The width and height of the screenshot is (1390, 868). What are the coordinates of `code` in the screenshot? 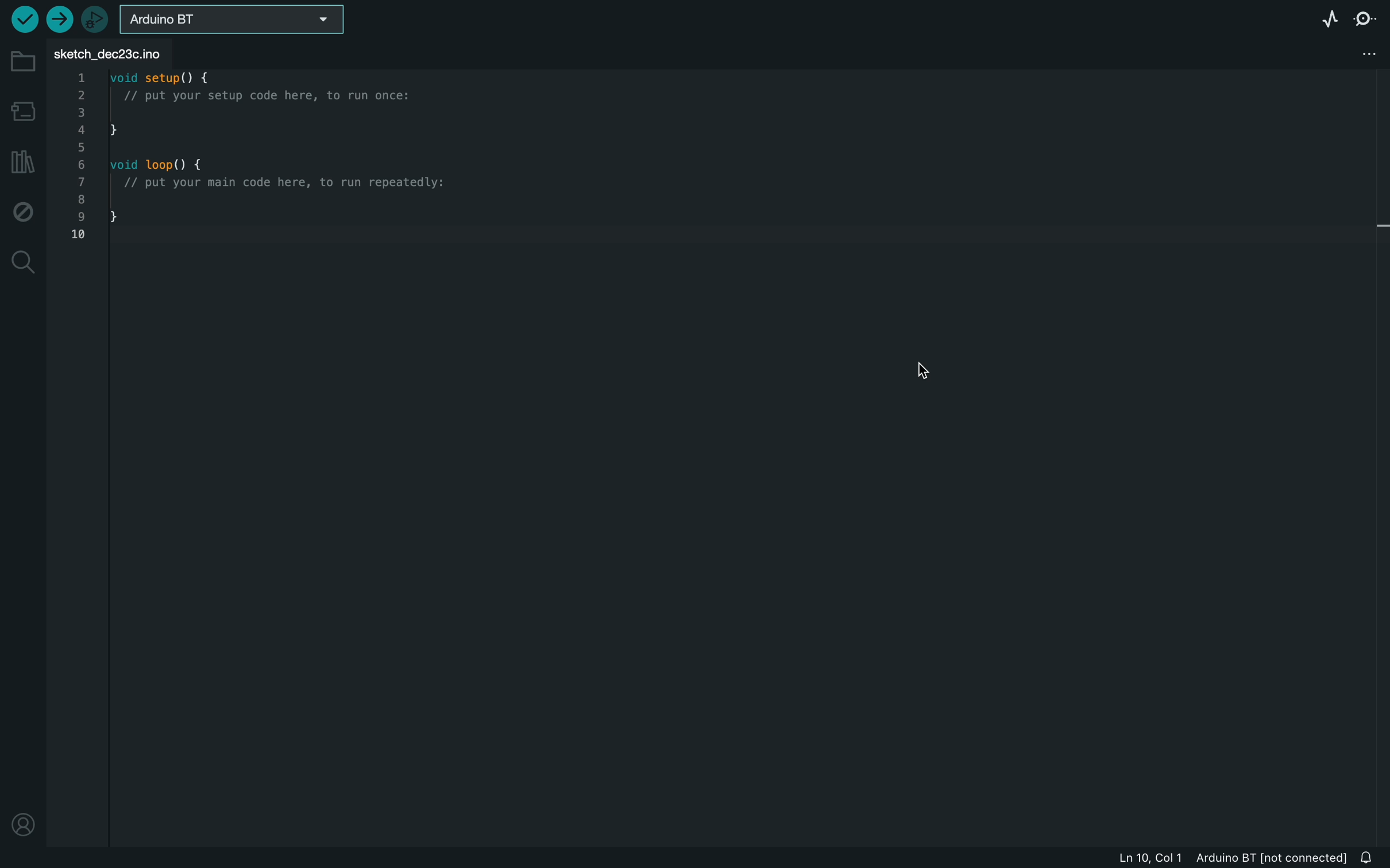 It's located at (284, 164).